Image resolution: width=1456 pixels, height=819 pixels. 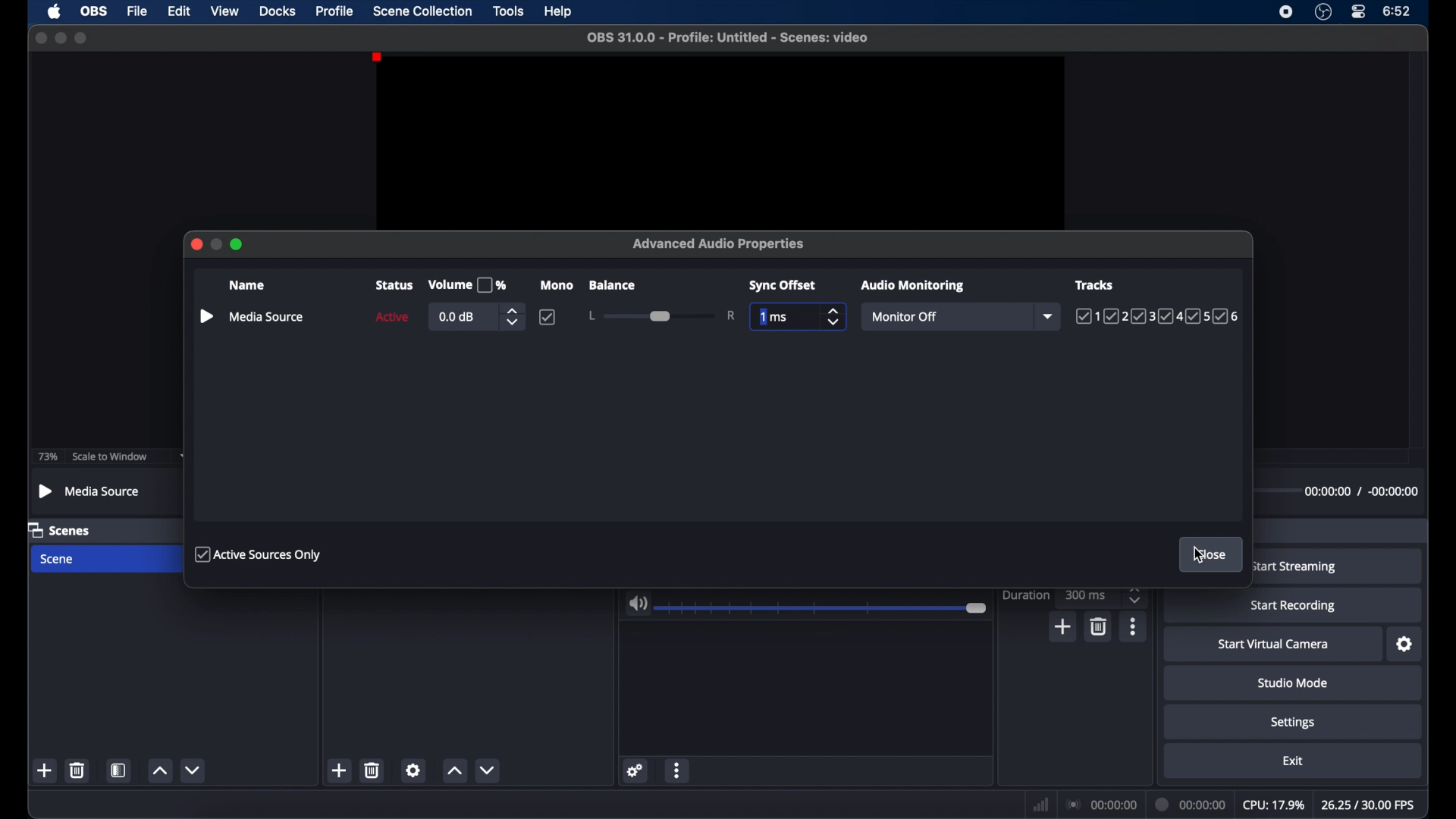 I want to click on more options, so click(x=1134, y=627).